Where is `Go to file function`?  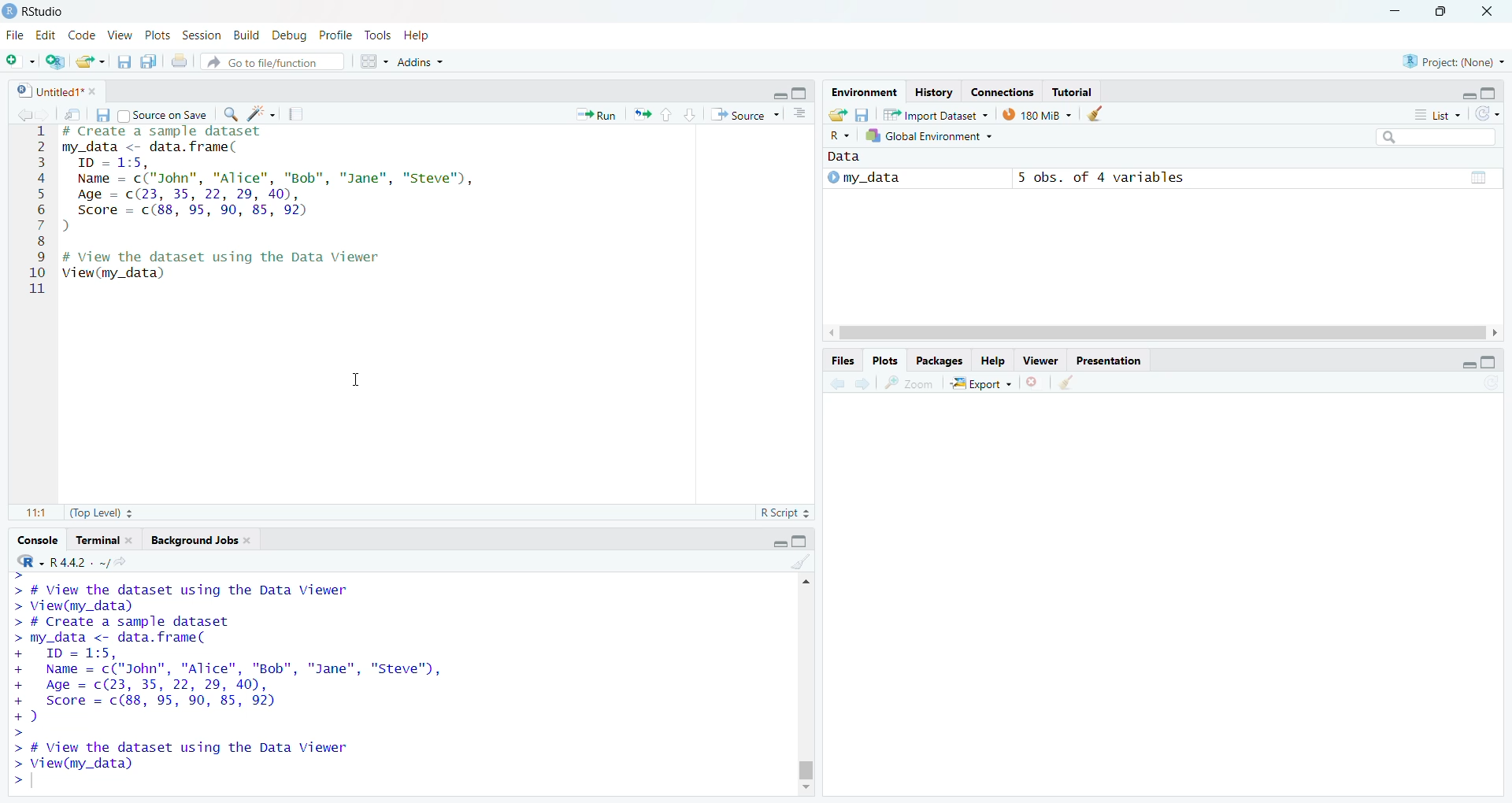
Go to file function is located at coordinates (272, 61).